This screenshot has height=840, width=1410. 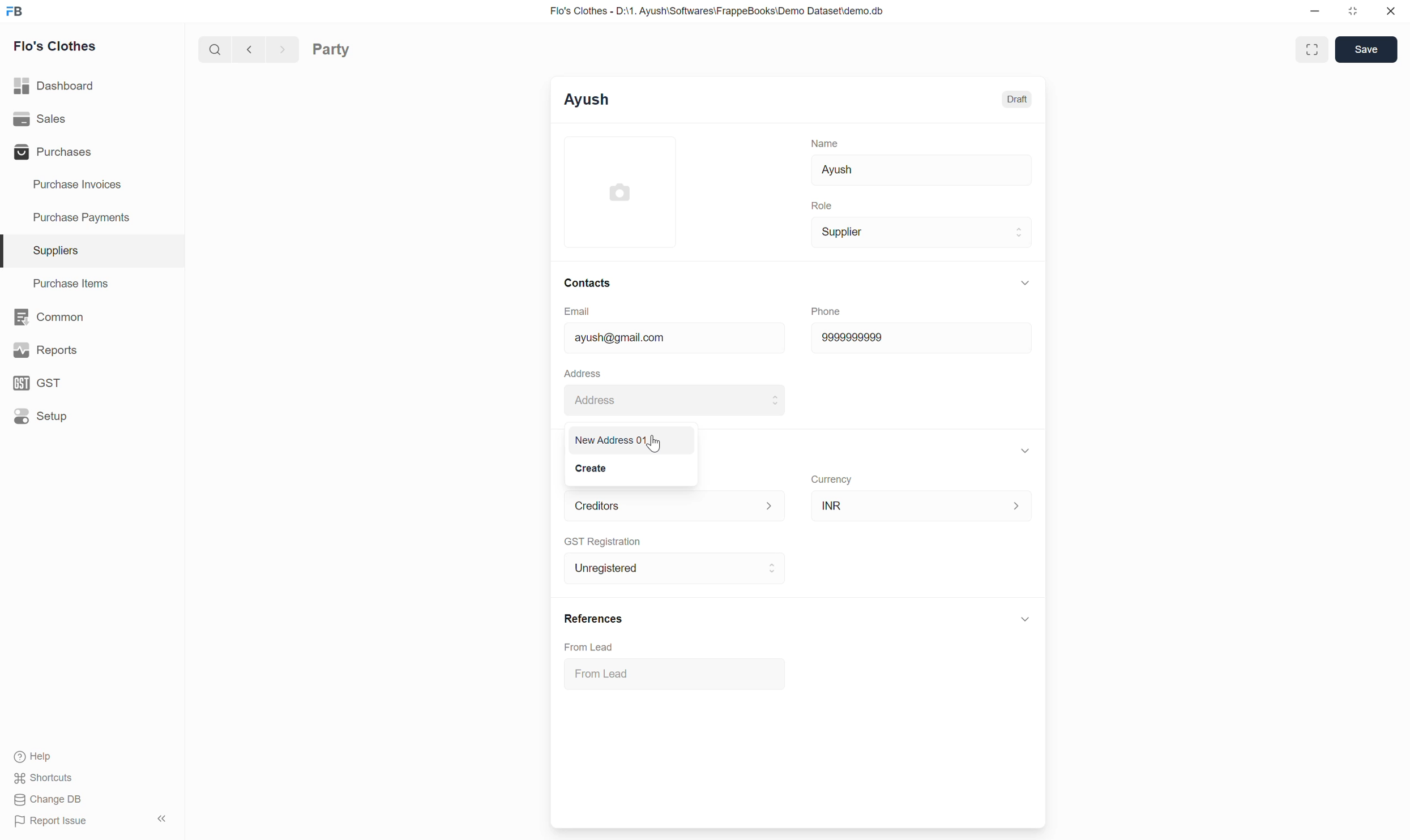 I want to click on Flo's Clothes - D:\1. Ayush\Softwares\FrappeBooks\Demo Dataset\demo.db, so click(x=717, y=11).